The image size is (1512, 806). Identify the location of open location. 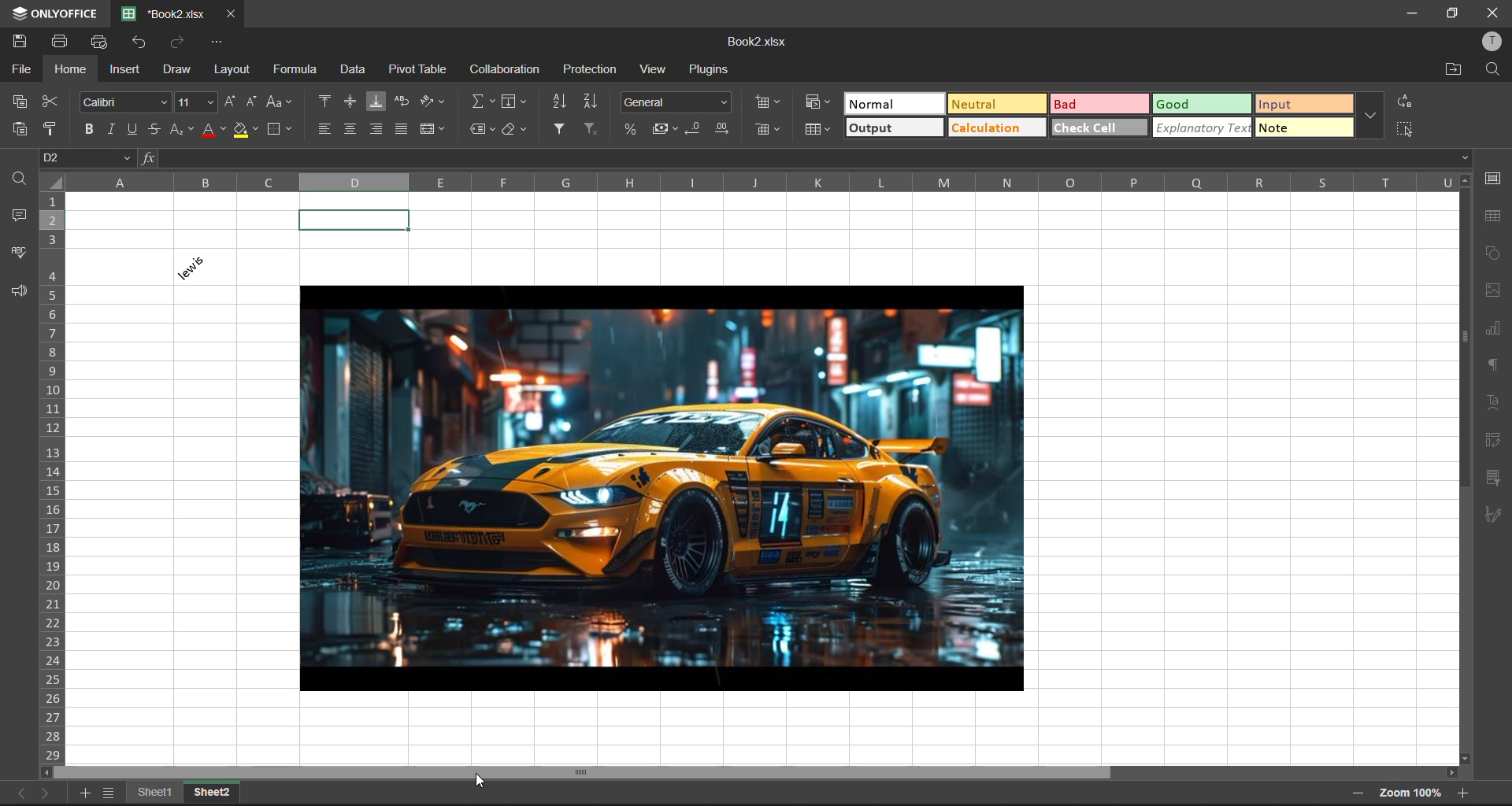
(1455, 70).